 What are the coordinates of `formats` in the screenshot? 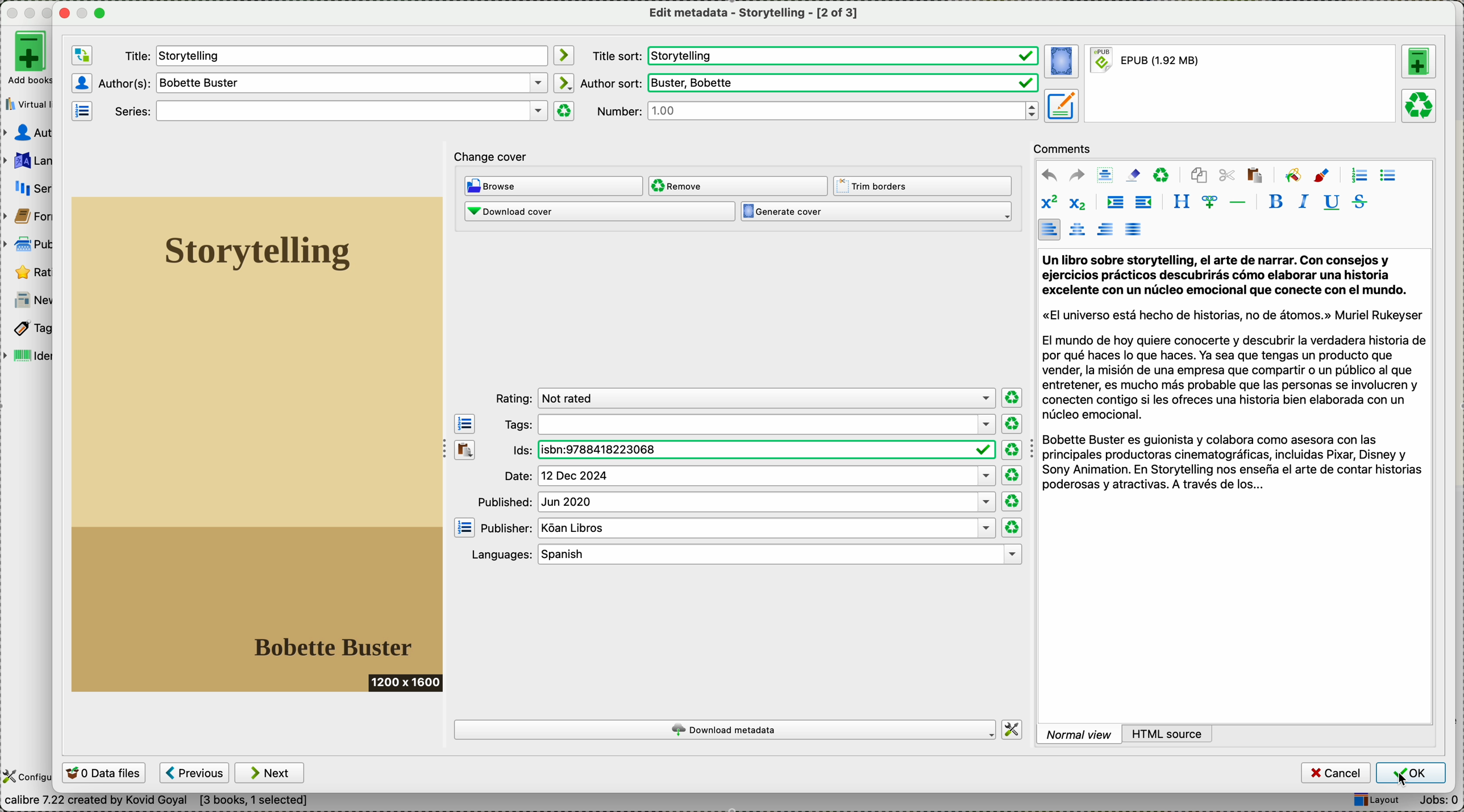 It's located at (34, 214).